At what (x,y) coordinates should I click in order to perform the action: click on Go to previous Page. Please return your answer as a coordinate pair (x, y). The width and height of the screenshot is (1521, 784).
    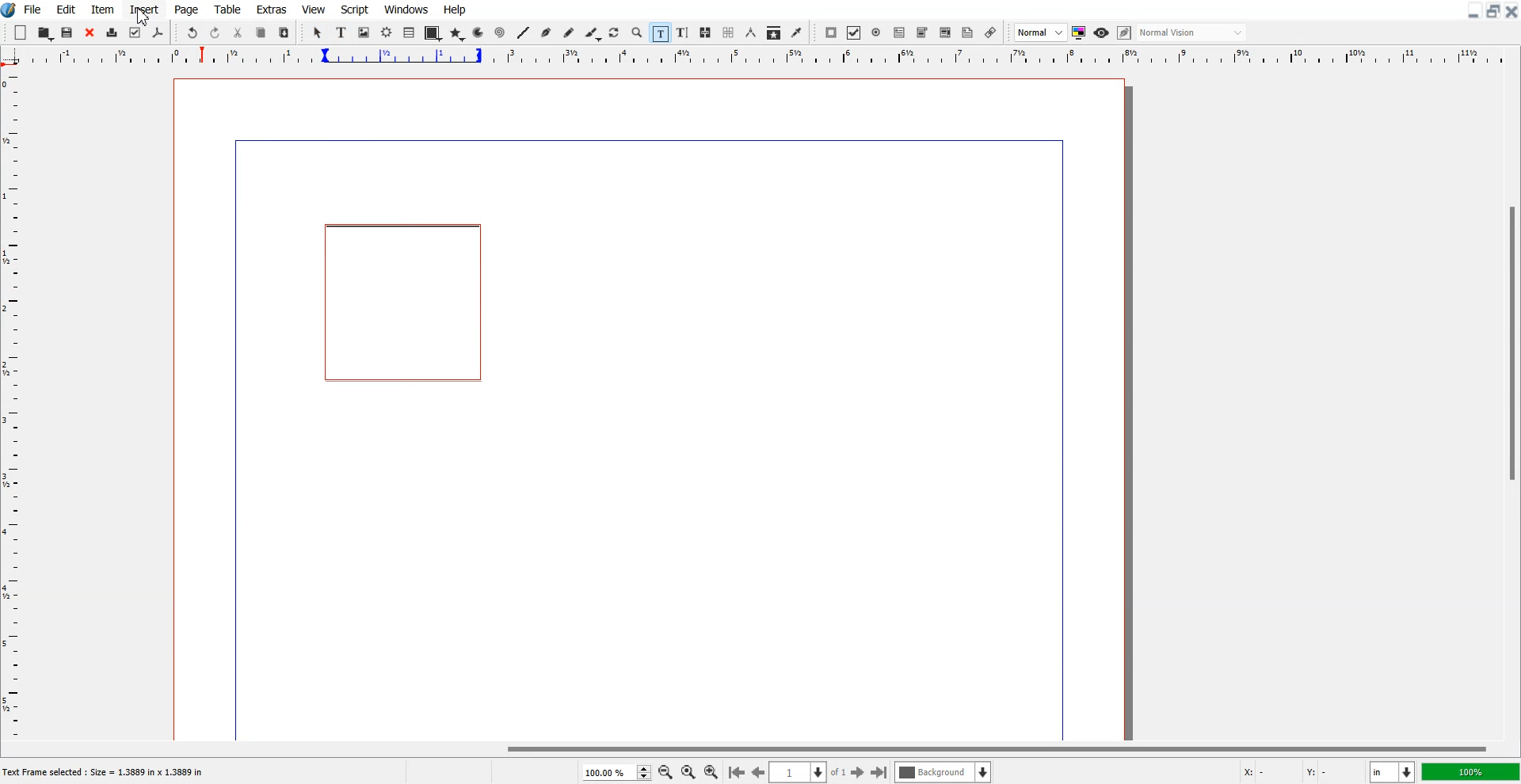
    Looking at the image, I should click on (759, 771).